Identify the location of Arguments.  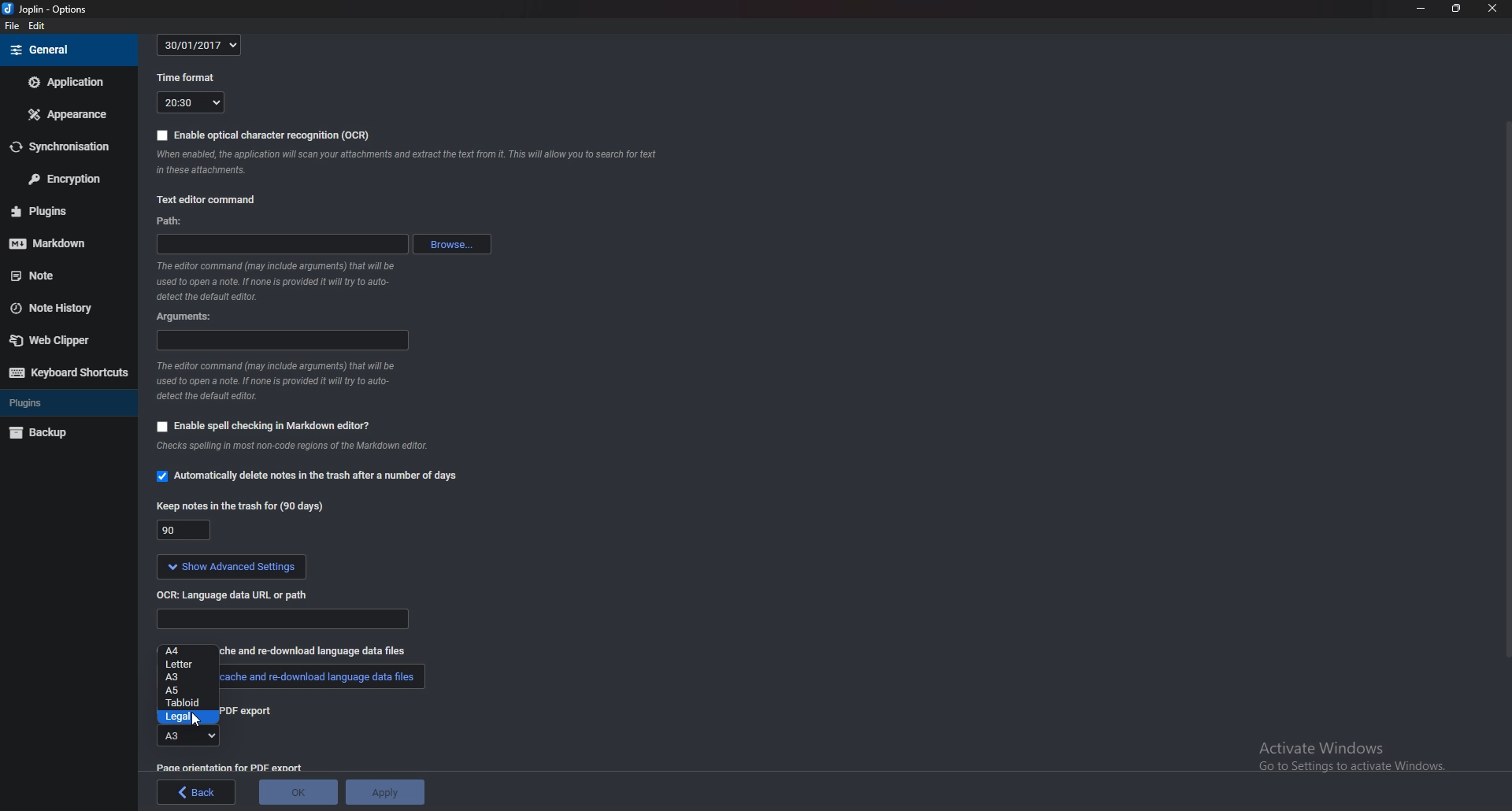
(283, 341).